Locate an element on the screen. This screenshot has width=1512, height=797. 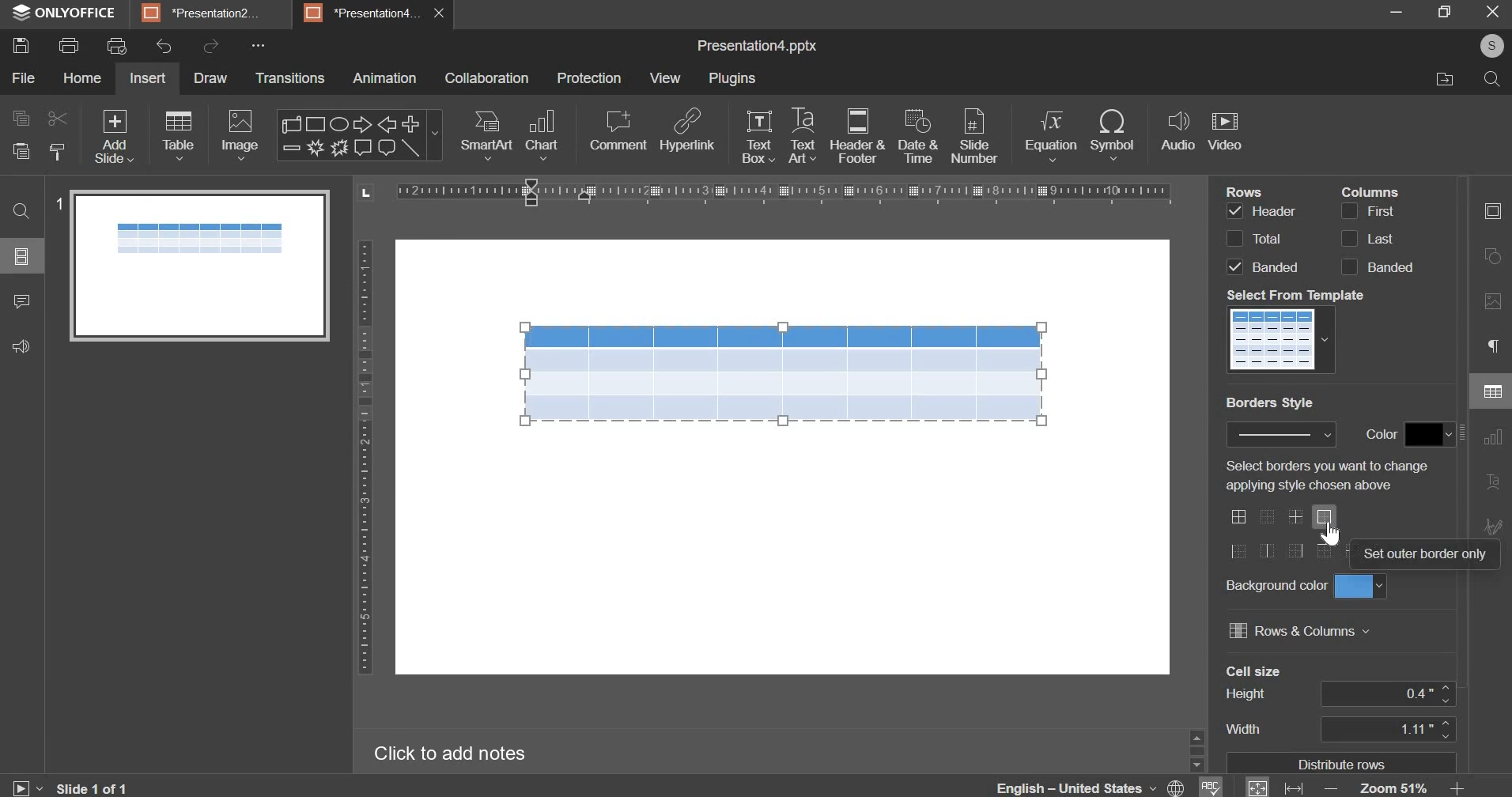
more is located at coordinates (256, 46).